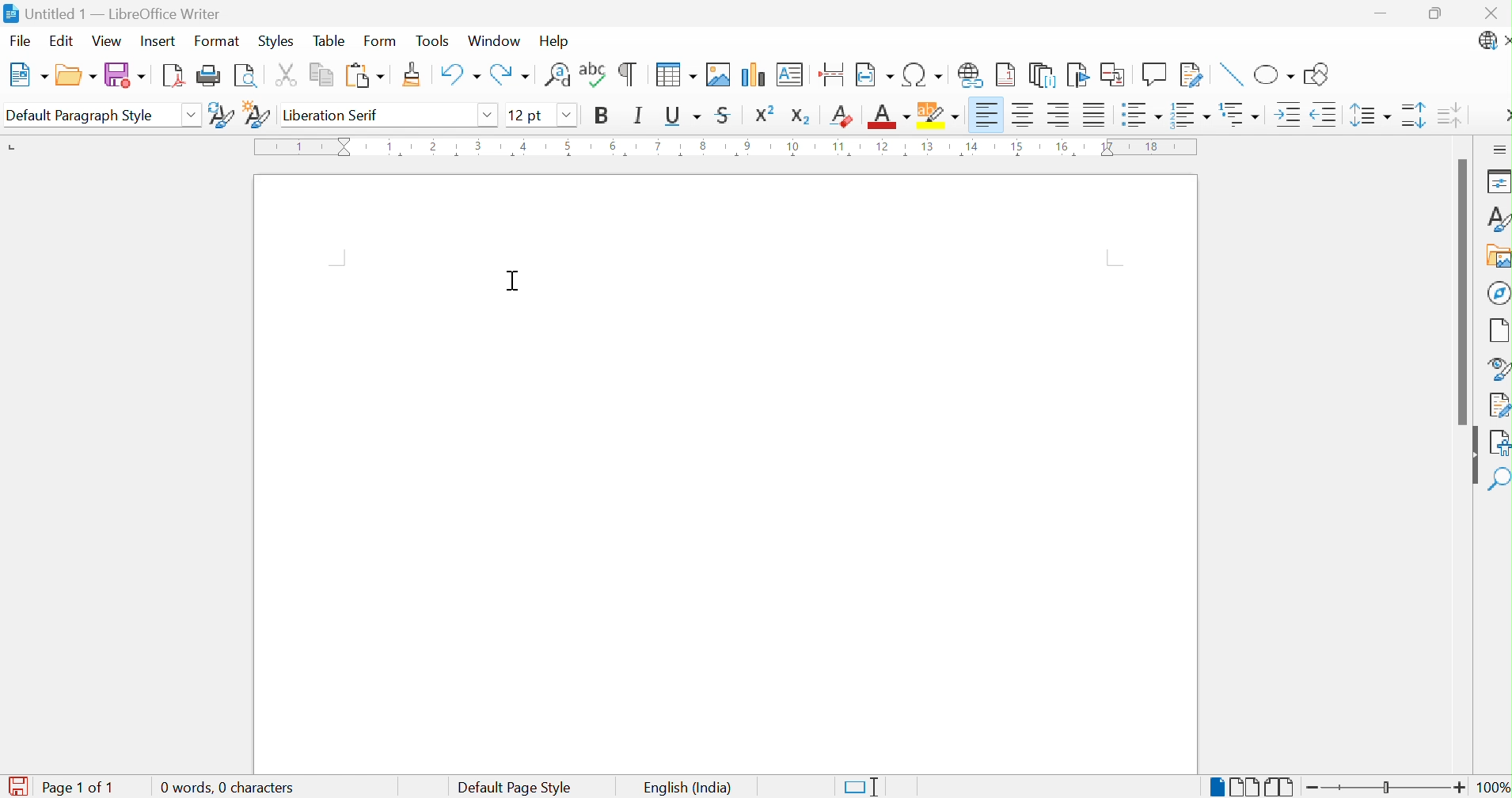  Describe the element at coordinates (1437, 13) in the screenshot. I see `Restore Down` at that location.